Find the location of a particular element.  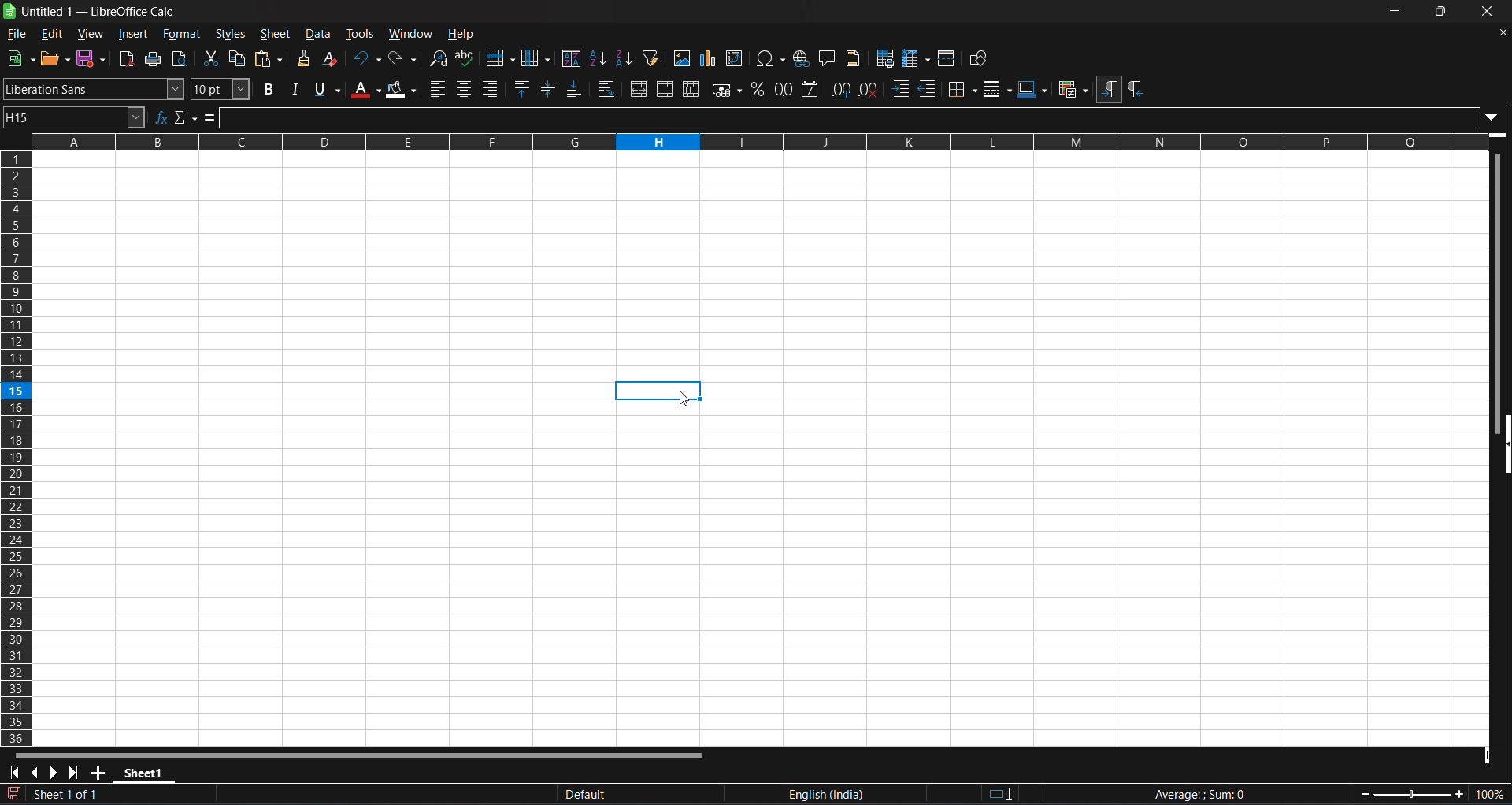

data is located at coordinates (320, 35).